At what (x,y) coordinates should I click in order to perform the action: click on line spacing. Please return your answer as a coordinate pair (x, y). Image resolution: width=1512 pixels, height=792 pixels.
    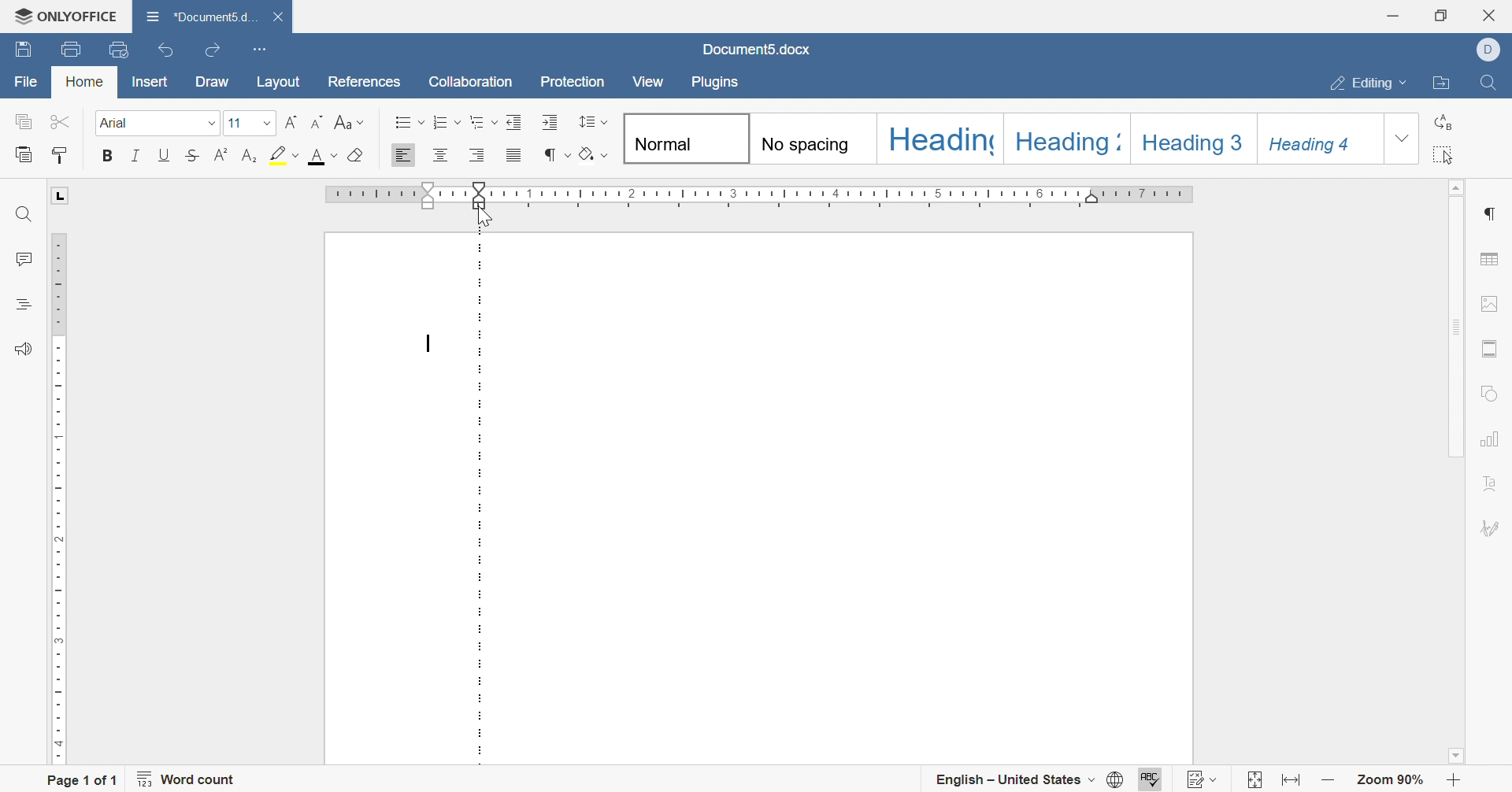
    Looking at the image, I should click on (593, 120).